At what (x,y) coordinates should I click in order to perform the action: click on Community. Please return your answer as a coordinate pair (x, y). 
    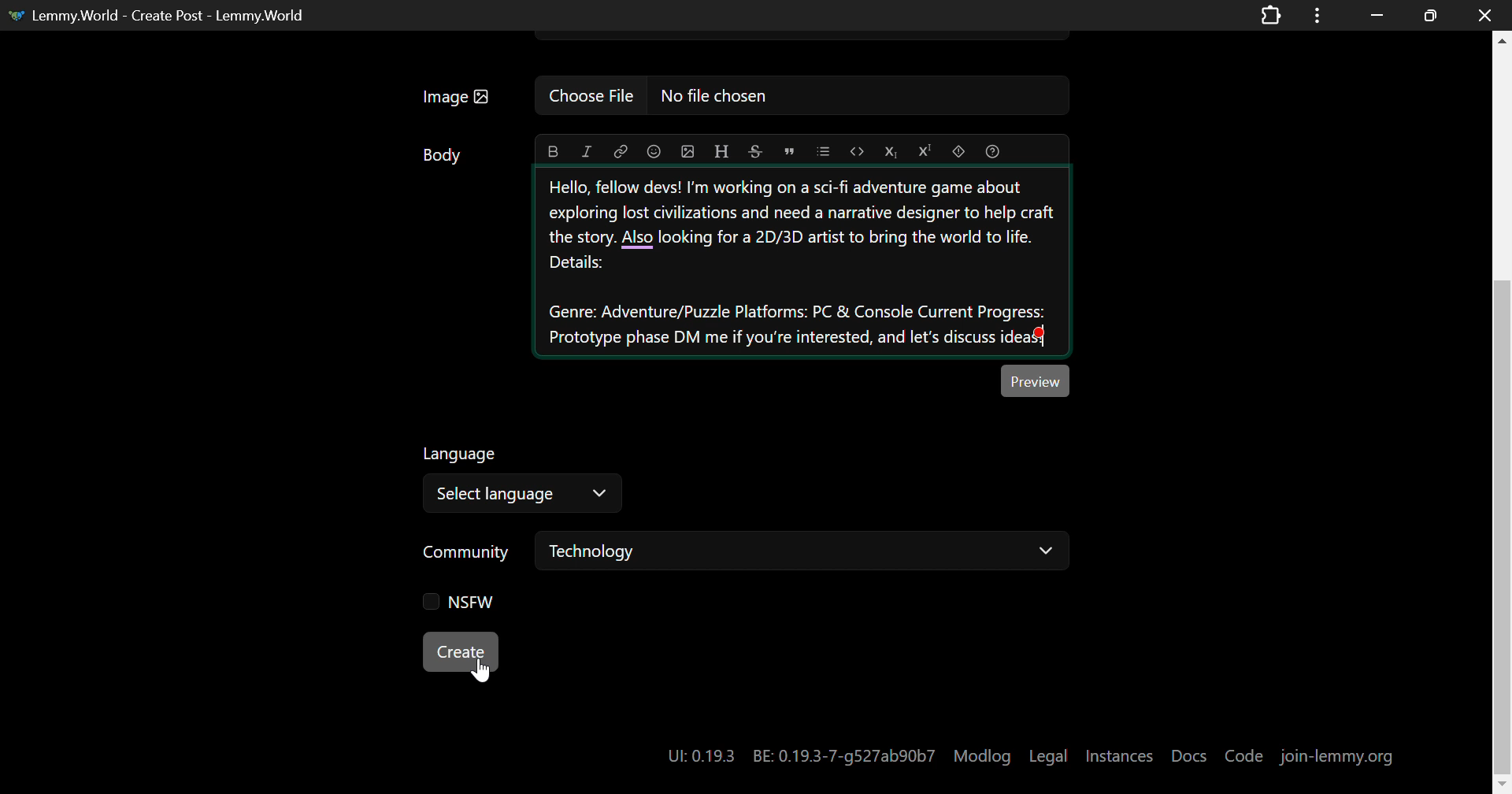
    Looking at the image, I should click on (469, 554).